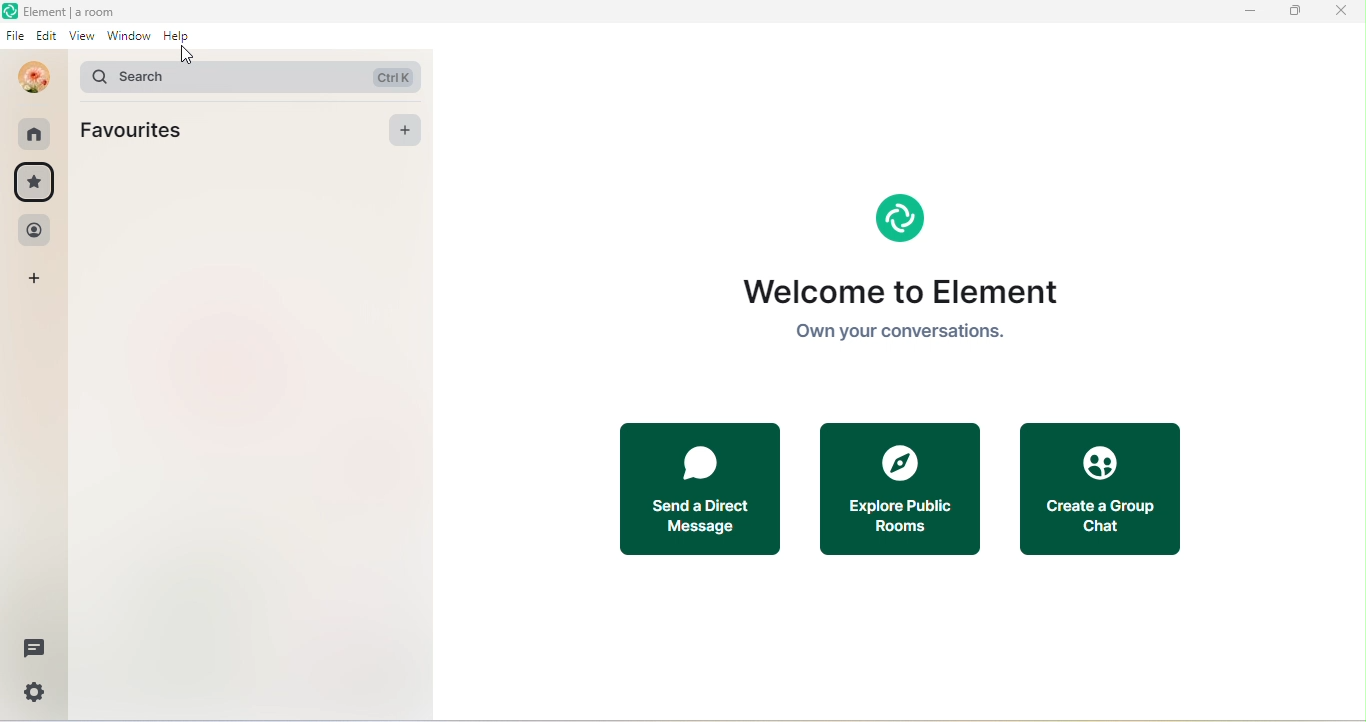  I want to click on close, so click(1340, 12).